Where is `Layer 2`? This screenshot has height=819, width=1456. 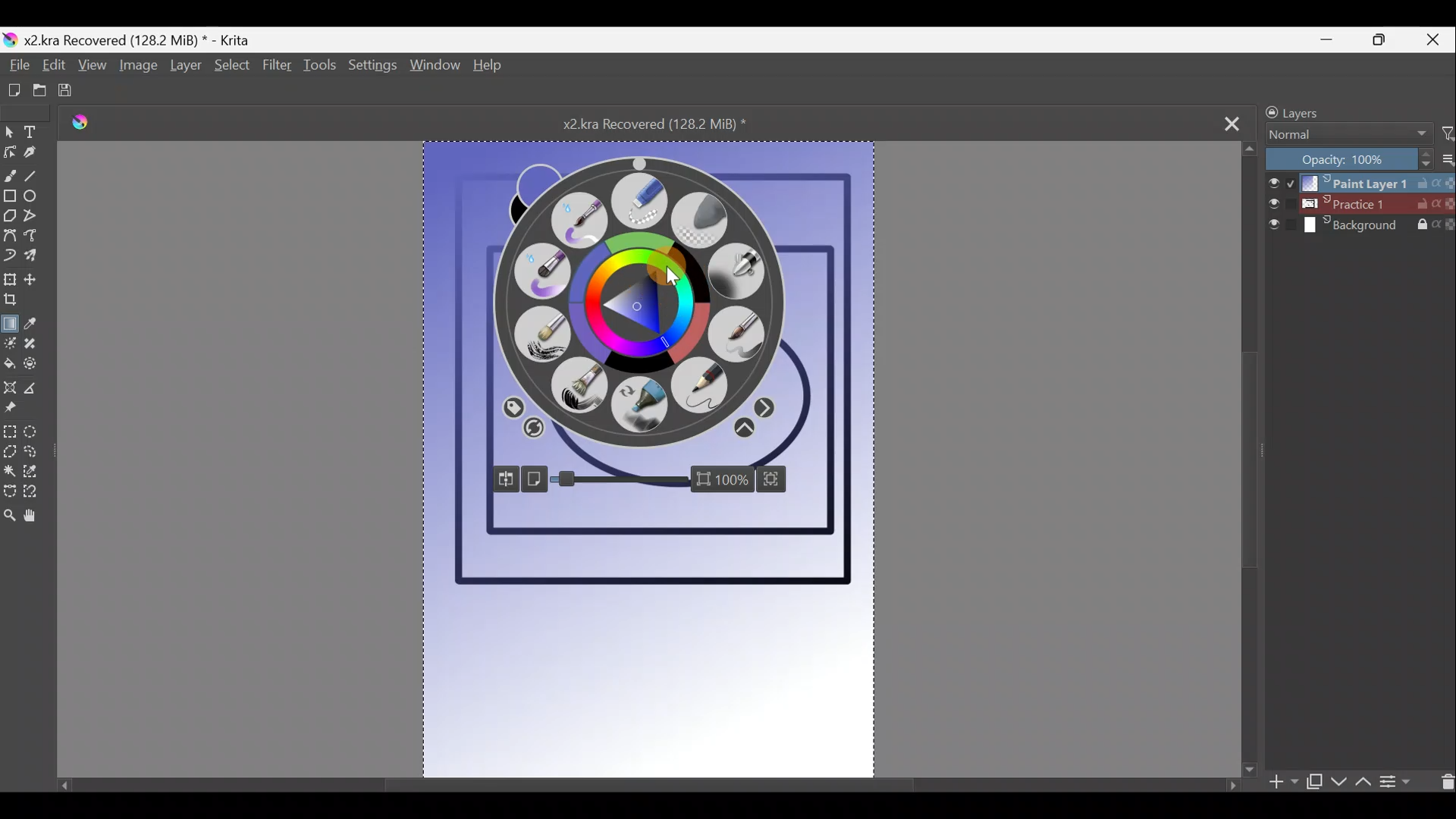 Layer 2 is located at coordinates (1360, 204).